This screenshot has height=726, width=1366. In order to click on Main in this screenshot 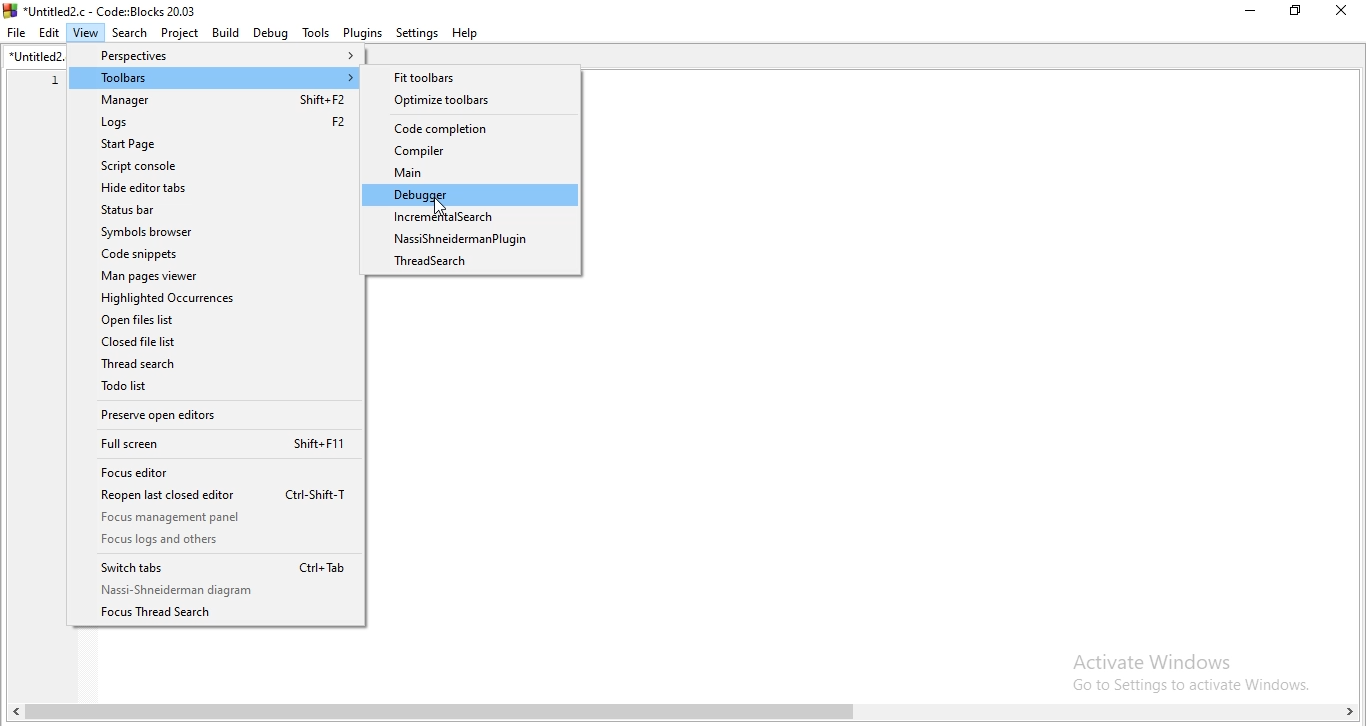, I will do `click(471, 173)`.